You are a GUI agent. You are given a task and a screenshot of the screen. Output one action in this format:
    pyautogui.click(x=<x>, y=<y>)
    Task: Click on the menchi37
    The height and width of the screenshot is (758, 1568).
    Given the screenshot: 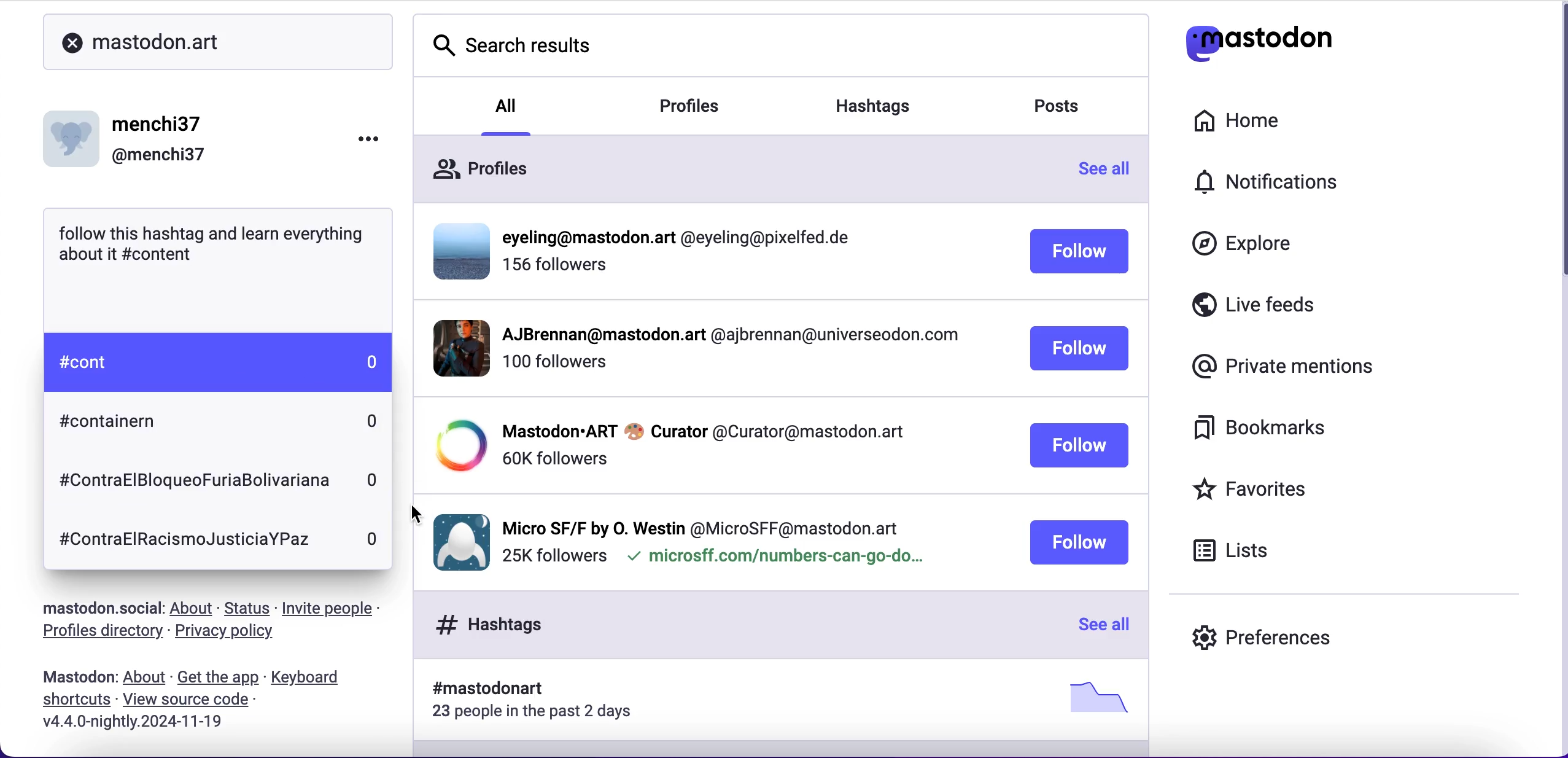 What is the action you would take?
    pyautogui.click(x=159, y=125)
    